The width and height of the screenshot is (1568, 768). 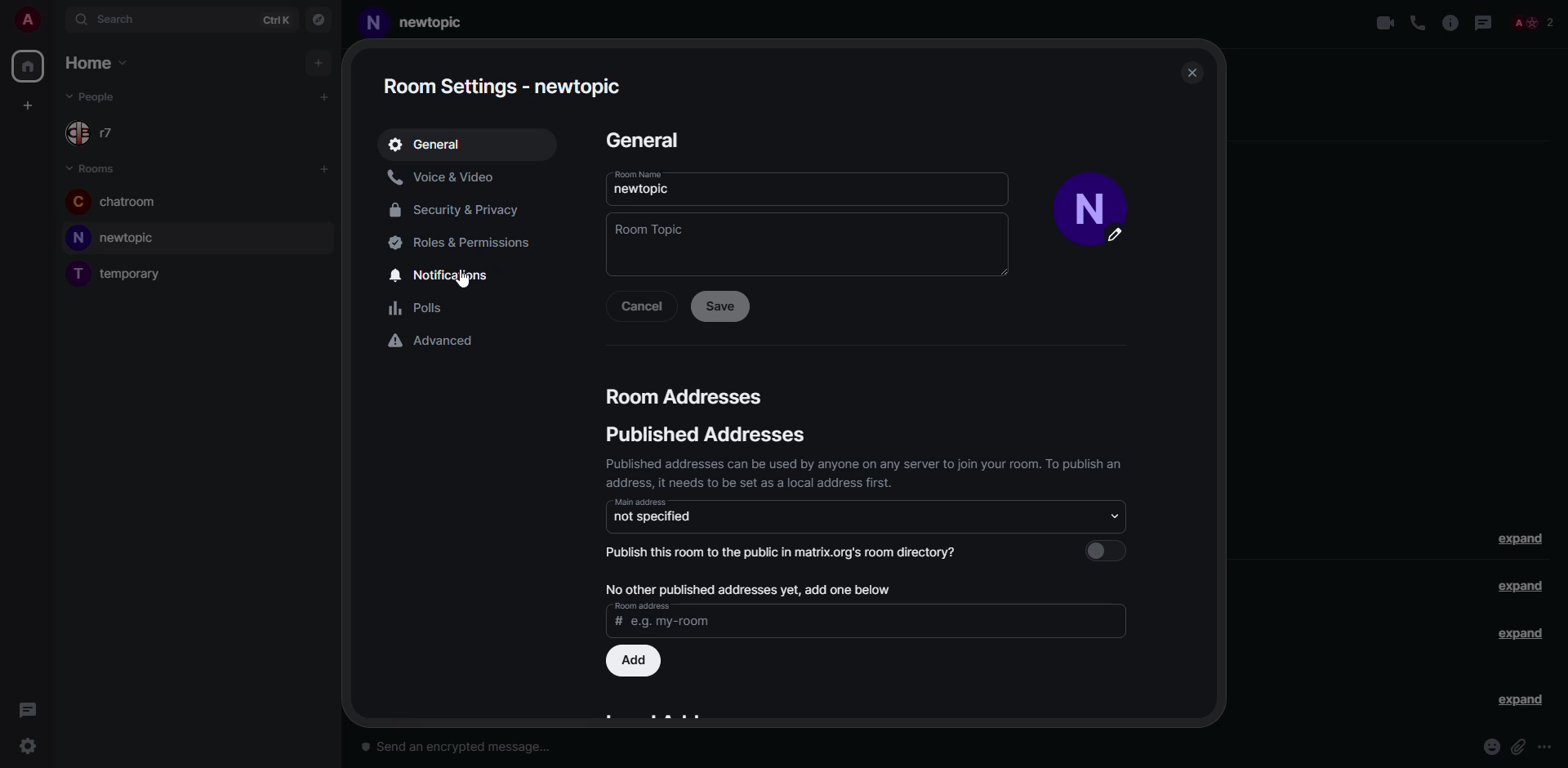 What do you see at coordinates (1093, 208) in the screenshot?
I see `profile` at bounding box center [1093, 208].